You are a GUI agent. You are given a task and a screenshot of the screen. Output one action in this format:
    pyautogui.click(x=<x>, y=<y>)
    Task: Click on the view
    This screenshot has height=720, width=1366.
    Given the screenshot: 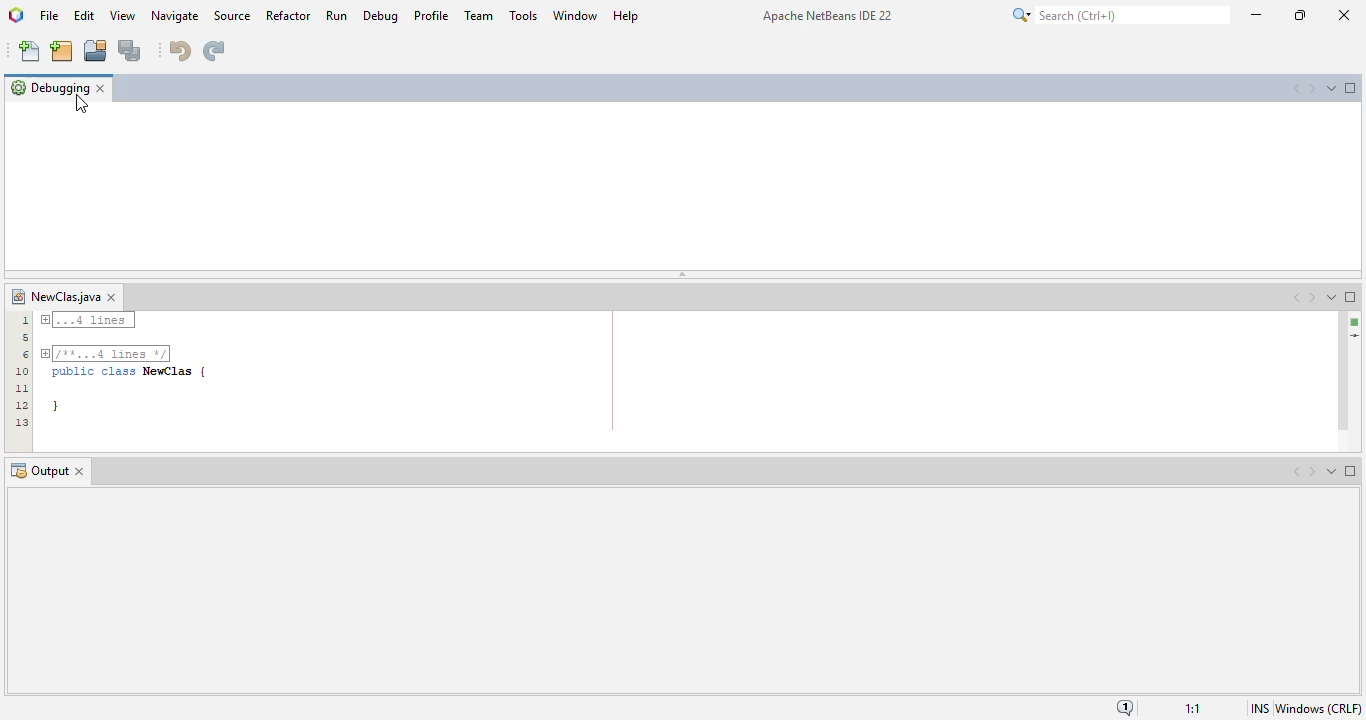 What is the action you would take?
    pyautogui.click(x=123, y=15)
    